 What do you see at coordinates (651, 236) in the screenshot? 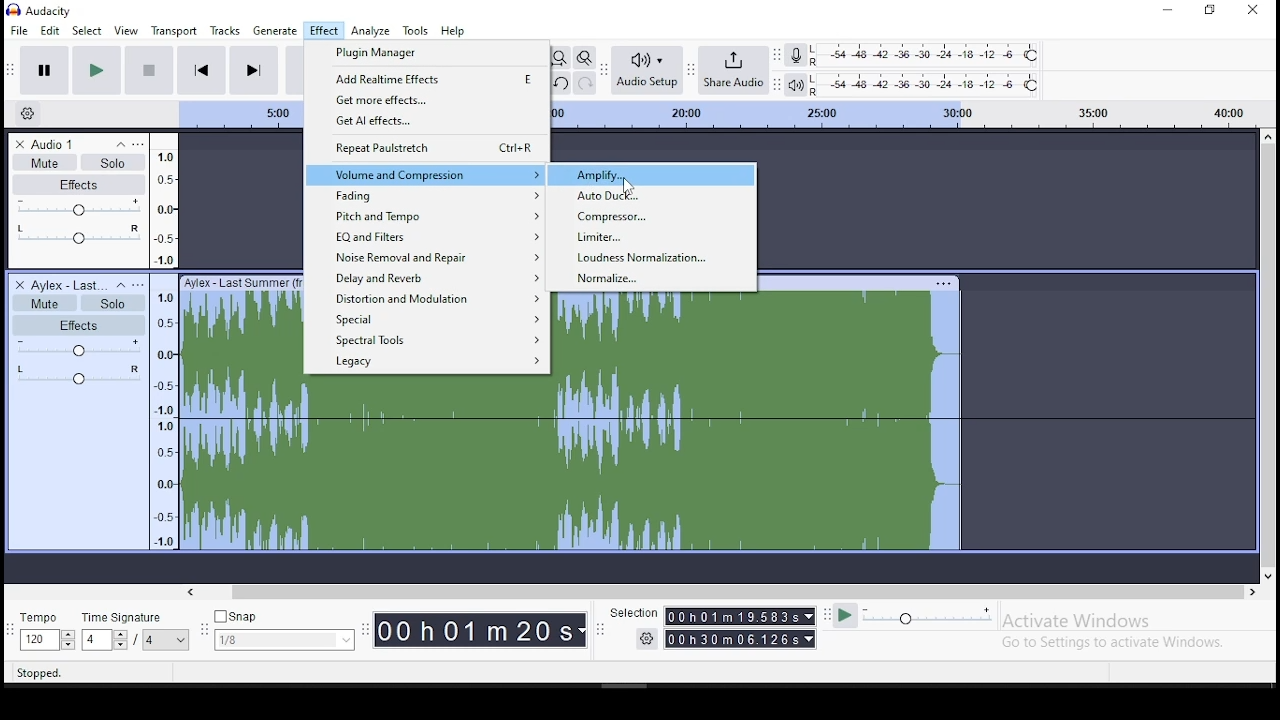
I see `limiter` at bounding box center [651, 236].